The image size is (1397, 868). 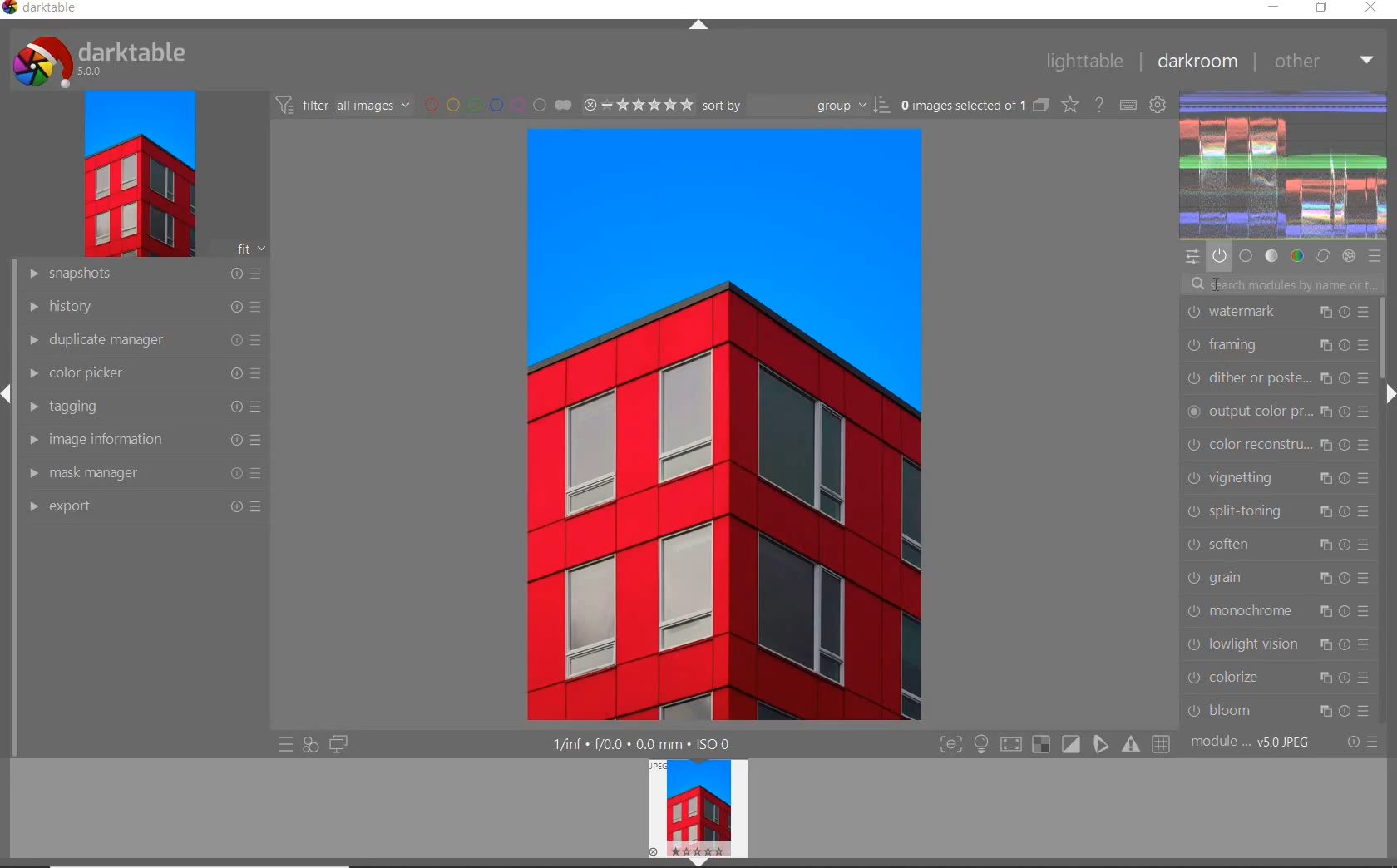 What do you see at coordinates (797, 106) in the screenshot?
I see `Sort` at bounding box center [797, 106].